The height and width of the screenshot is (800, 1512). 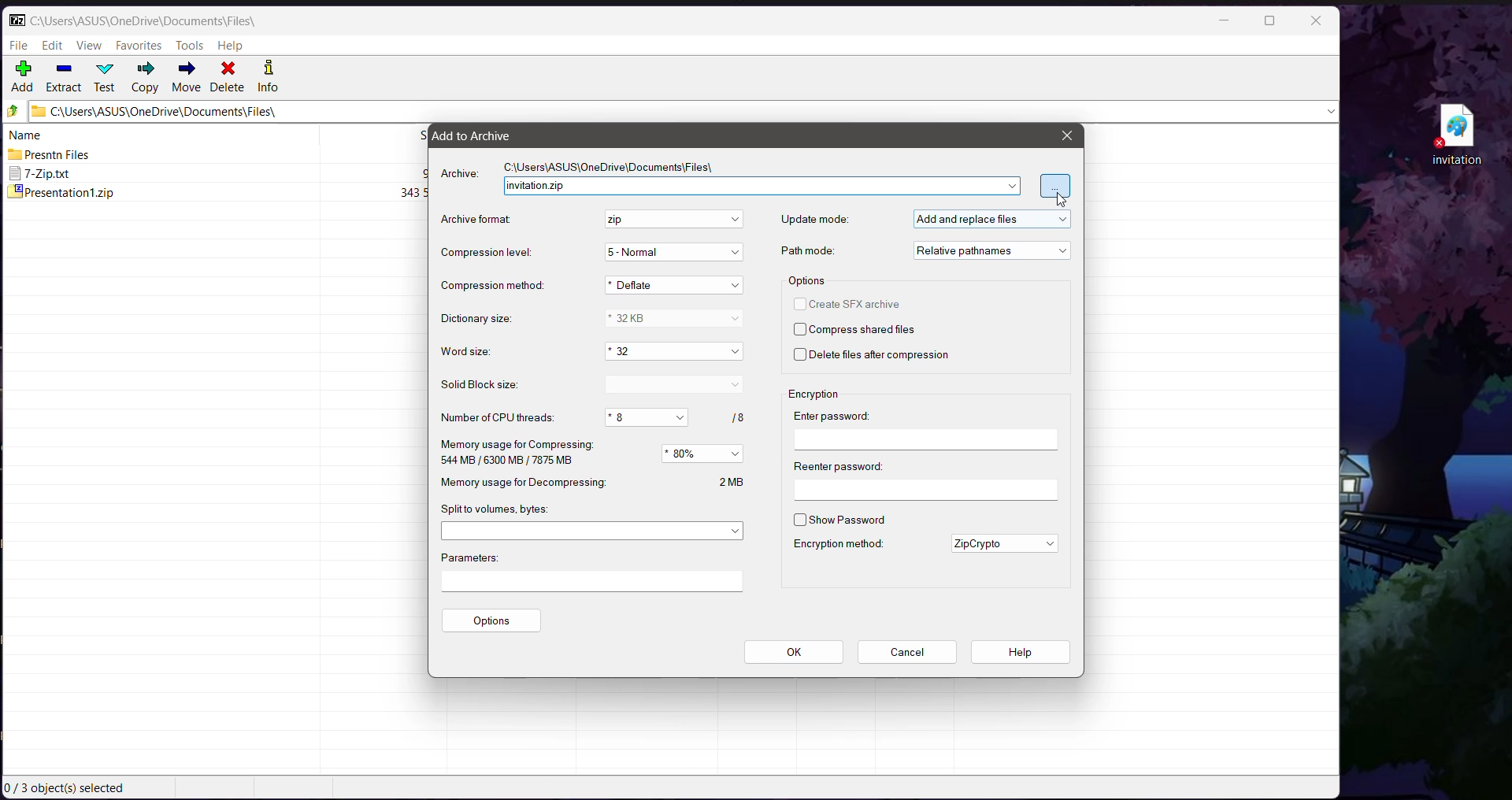 What do you see at coordinates (20, 44) in the screenshot?
I see `File` at bounding box center [20, 44].